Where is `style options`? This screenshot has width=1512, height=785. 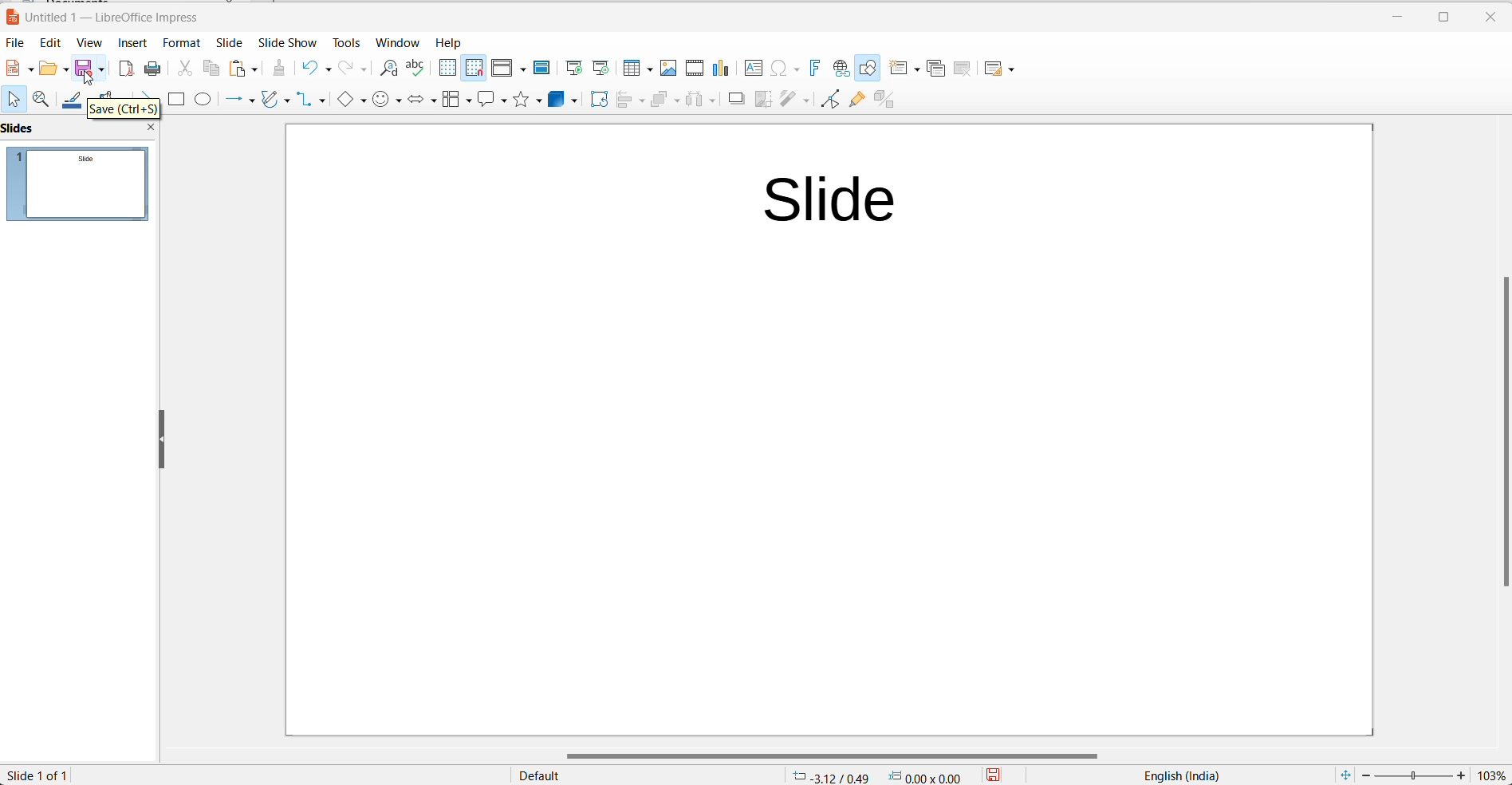
style options is located at coordinates (542, 776).